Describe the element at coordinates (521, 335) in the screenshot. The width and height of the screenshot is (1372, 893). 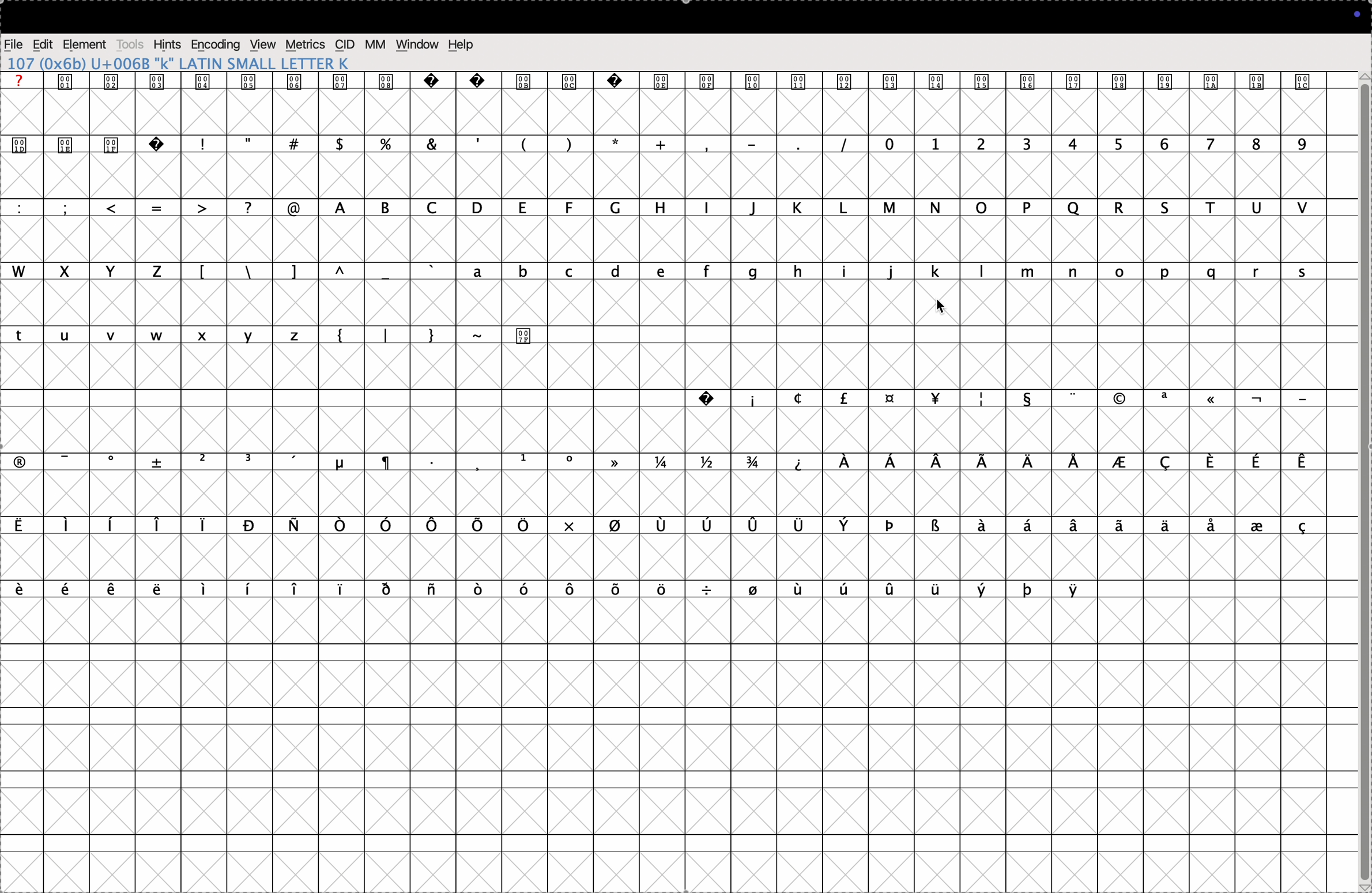
I see `` at that location.